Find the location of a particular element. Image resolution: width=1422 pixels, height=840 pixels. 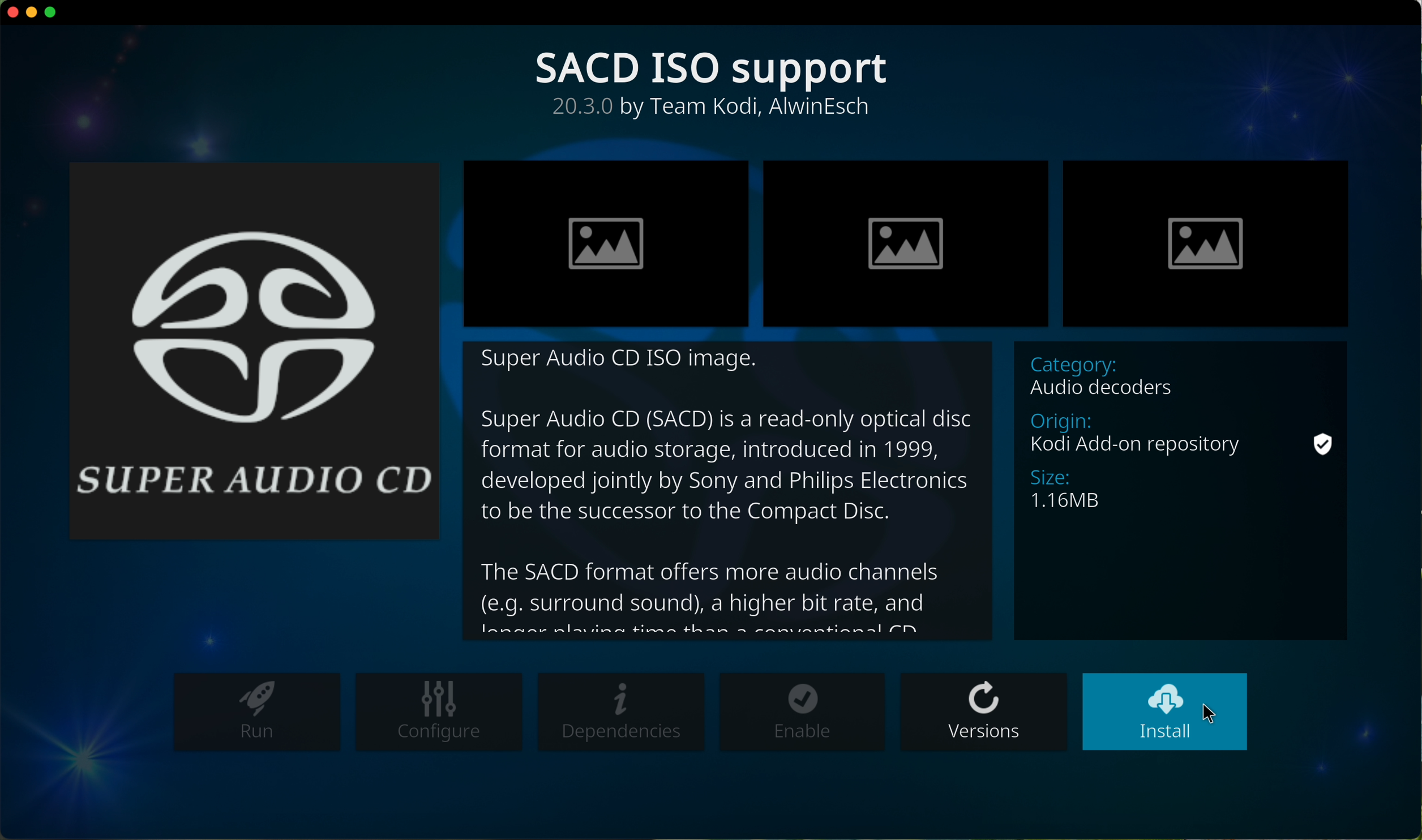

image is located at coordinates (1205, 243).